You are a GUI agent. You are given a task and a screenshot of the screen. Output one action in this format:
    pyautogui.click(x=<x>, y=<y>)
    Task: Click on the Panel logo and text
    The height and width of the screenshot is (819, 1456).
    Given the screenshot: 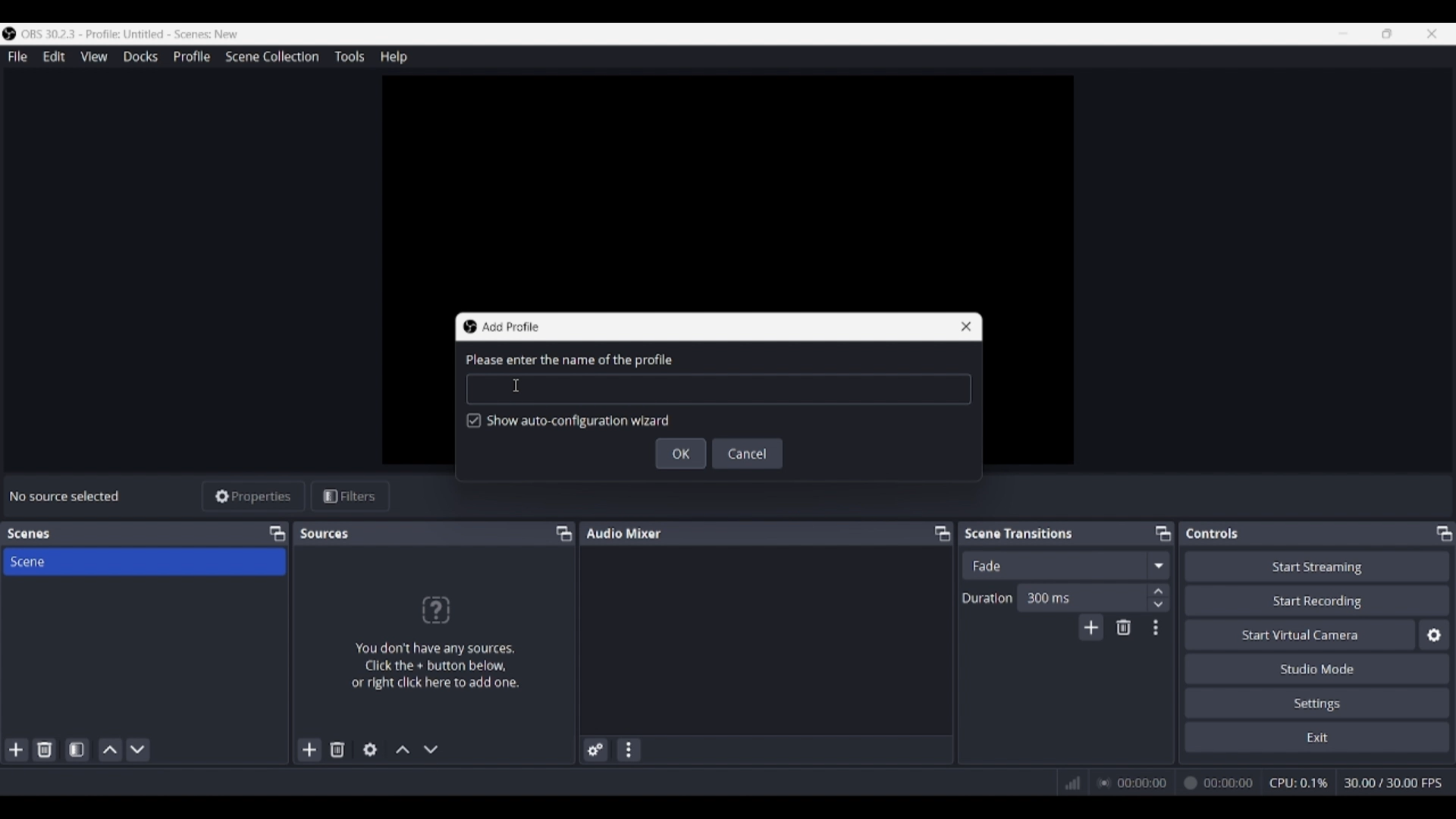 What is the action you would take?
    pyautogui.click(x=434, y=642)
    